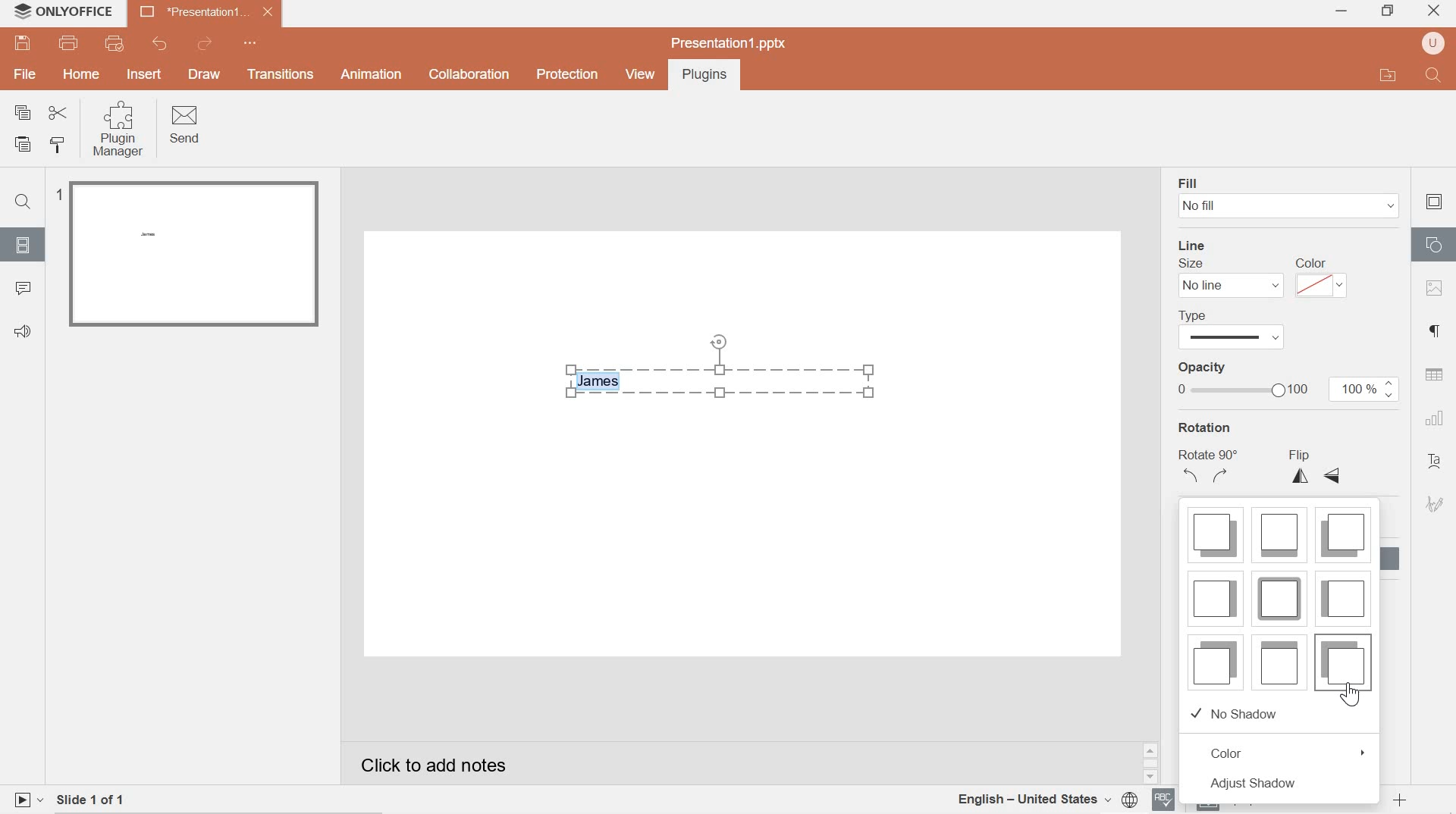 The height and width of the screenshot is (814, 1456). I want to click on shadow style, so click(1216, 661).